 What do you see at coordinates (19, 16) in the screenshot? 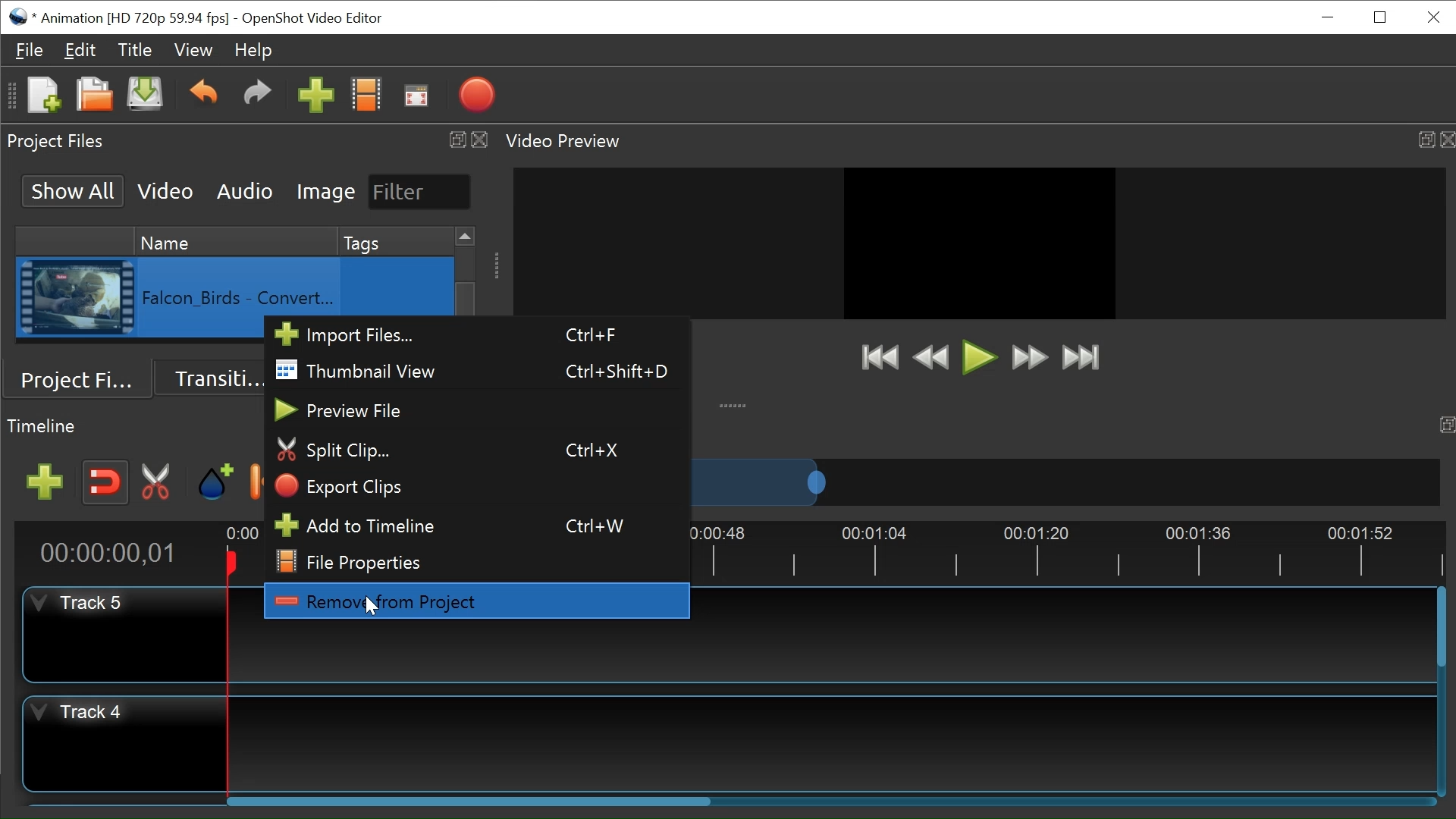
I see `OpenShot Desktop Icon` at bounding box center [19, 16].